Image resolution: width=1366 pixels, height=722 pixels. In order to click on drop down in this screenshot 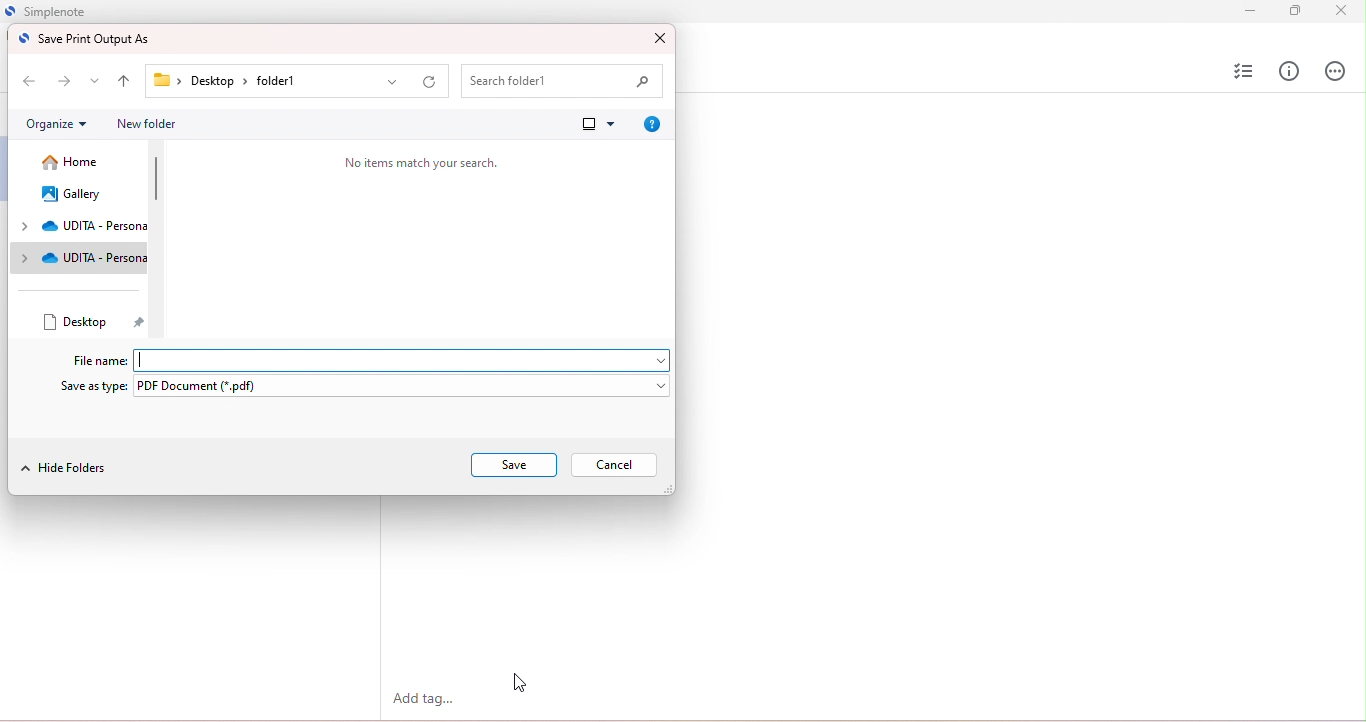, I will do `click(394, 83)`.